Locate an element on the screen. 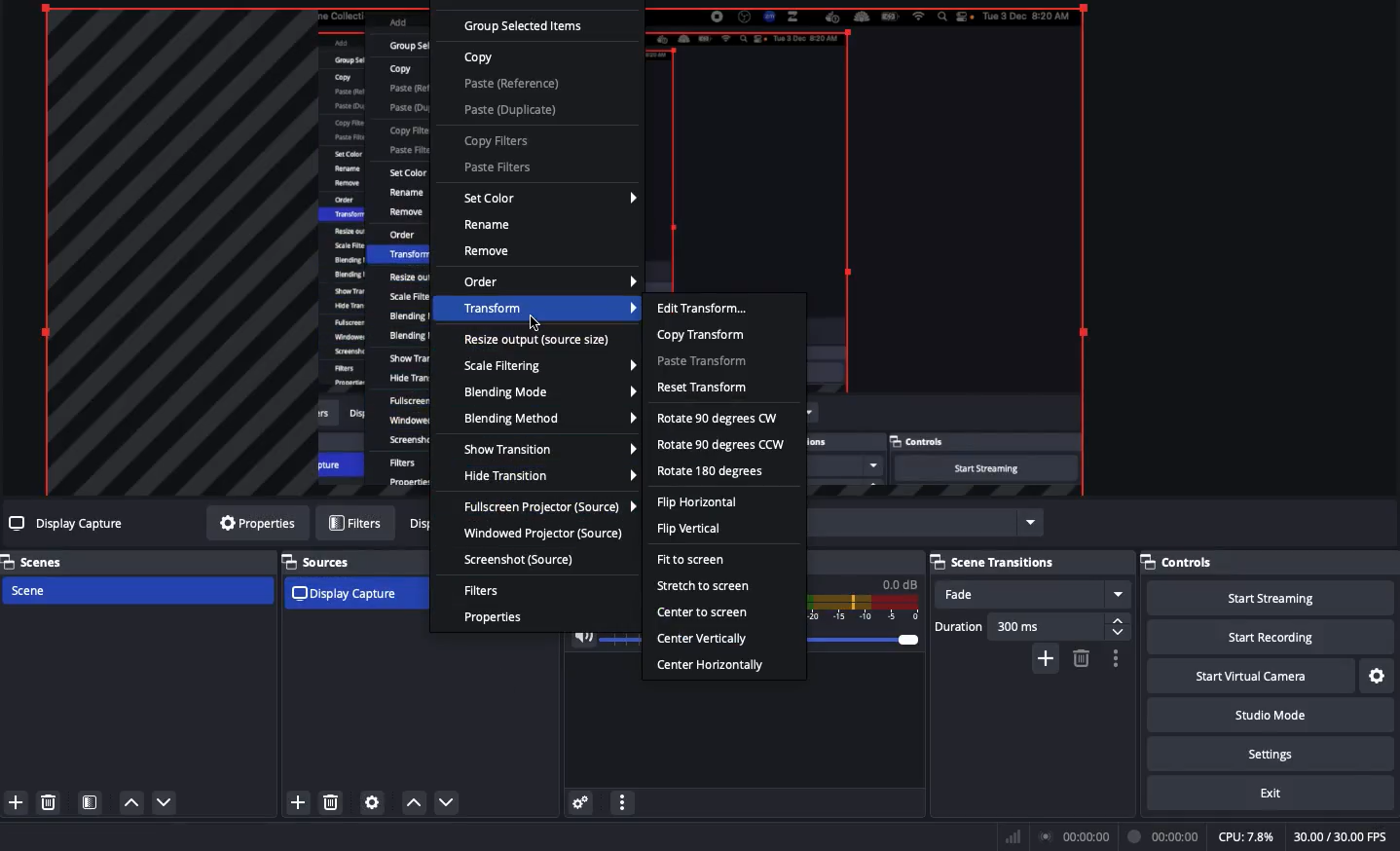 This screenshot has height=851, width=1400. Center to screen is located at coordinates (704, 611).